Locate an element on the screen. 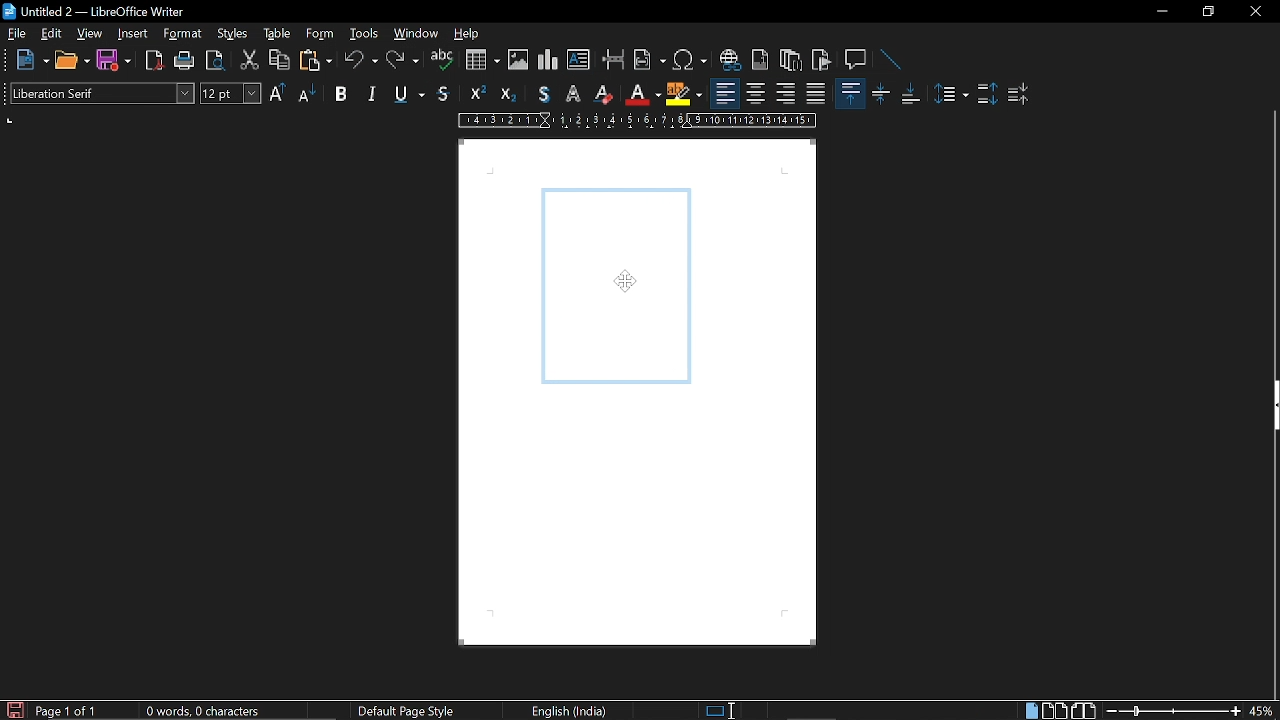 Image resolution: width=1280 pixels, height=720 pixels. styles is located at coordinates (234, 36).